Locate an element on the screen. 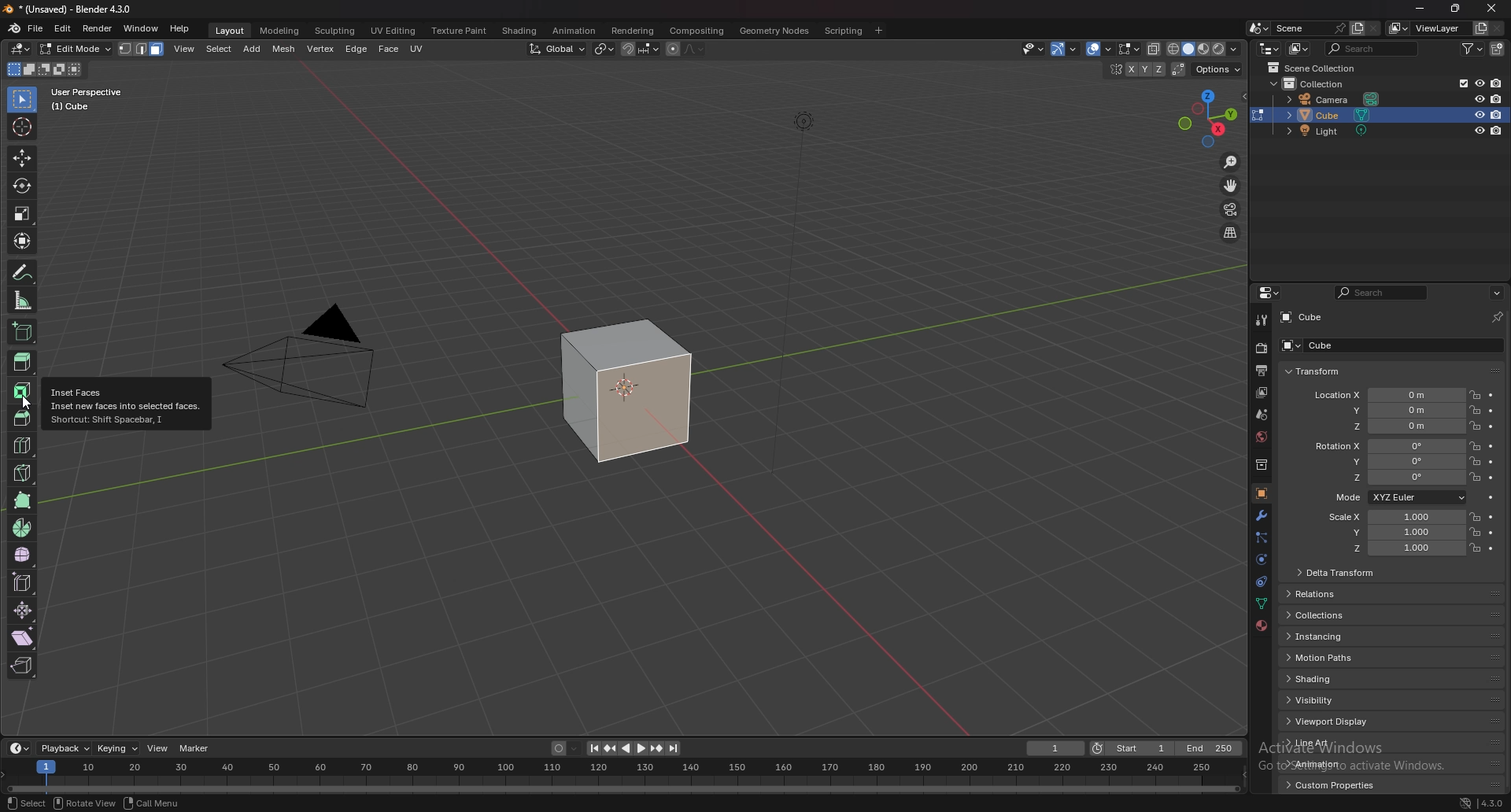 This screenshot has height=812, width=1511. options is located at coordinates (1219, 70).